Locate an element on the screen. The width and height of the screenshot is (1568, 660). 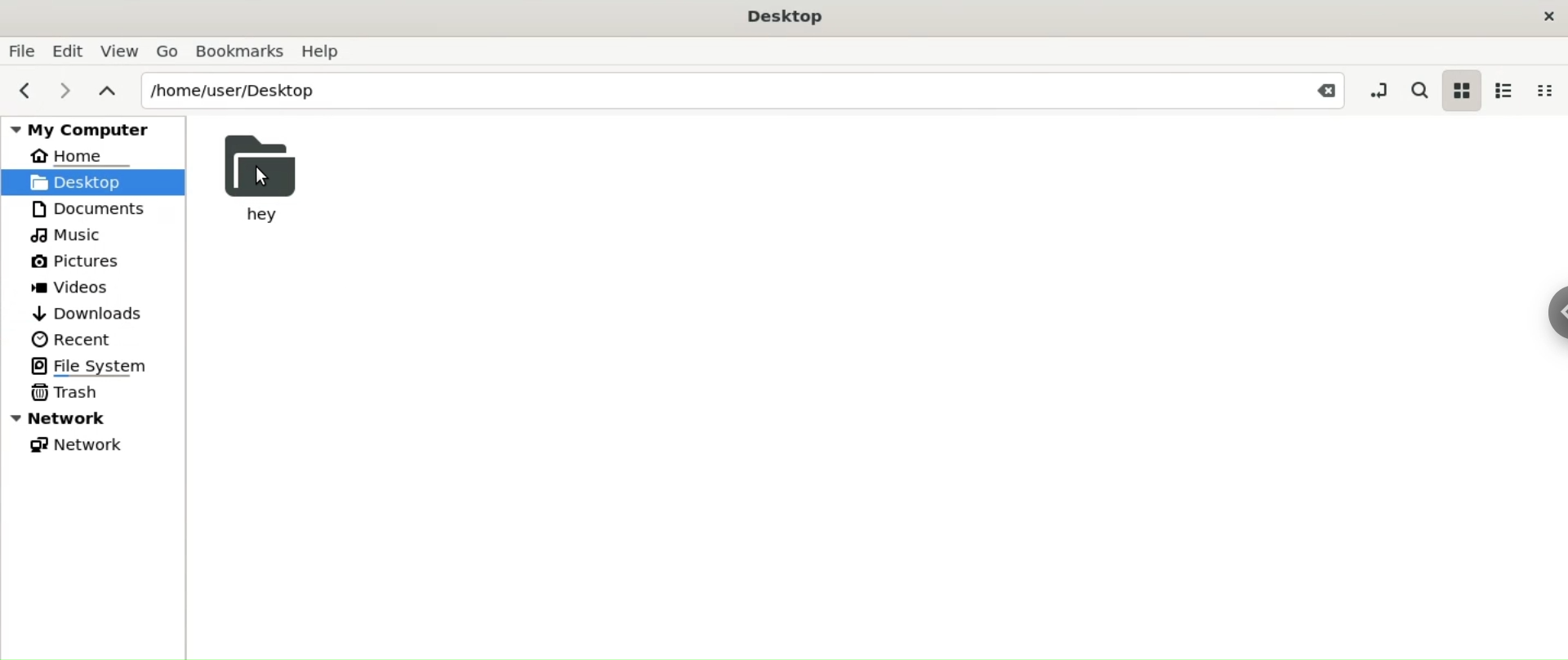
Cursor is located at coordinates (265, 182).